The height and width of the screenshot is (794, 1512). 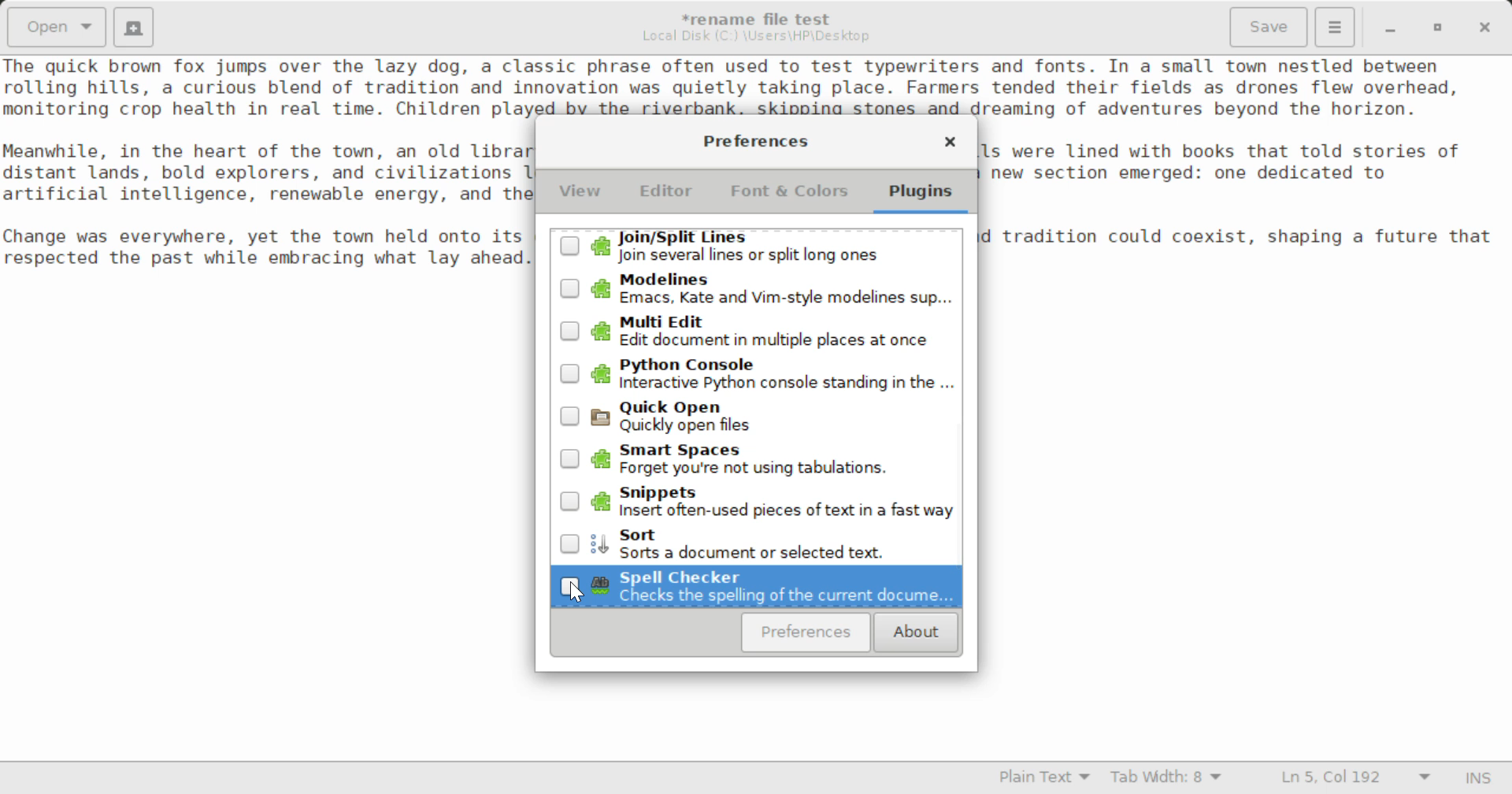 What do you see at coordinates (1487, 26) in the screenshot?
I see `Close Window` at bounding box center [1487, 26].